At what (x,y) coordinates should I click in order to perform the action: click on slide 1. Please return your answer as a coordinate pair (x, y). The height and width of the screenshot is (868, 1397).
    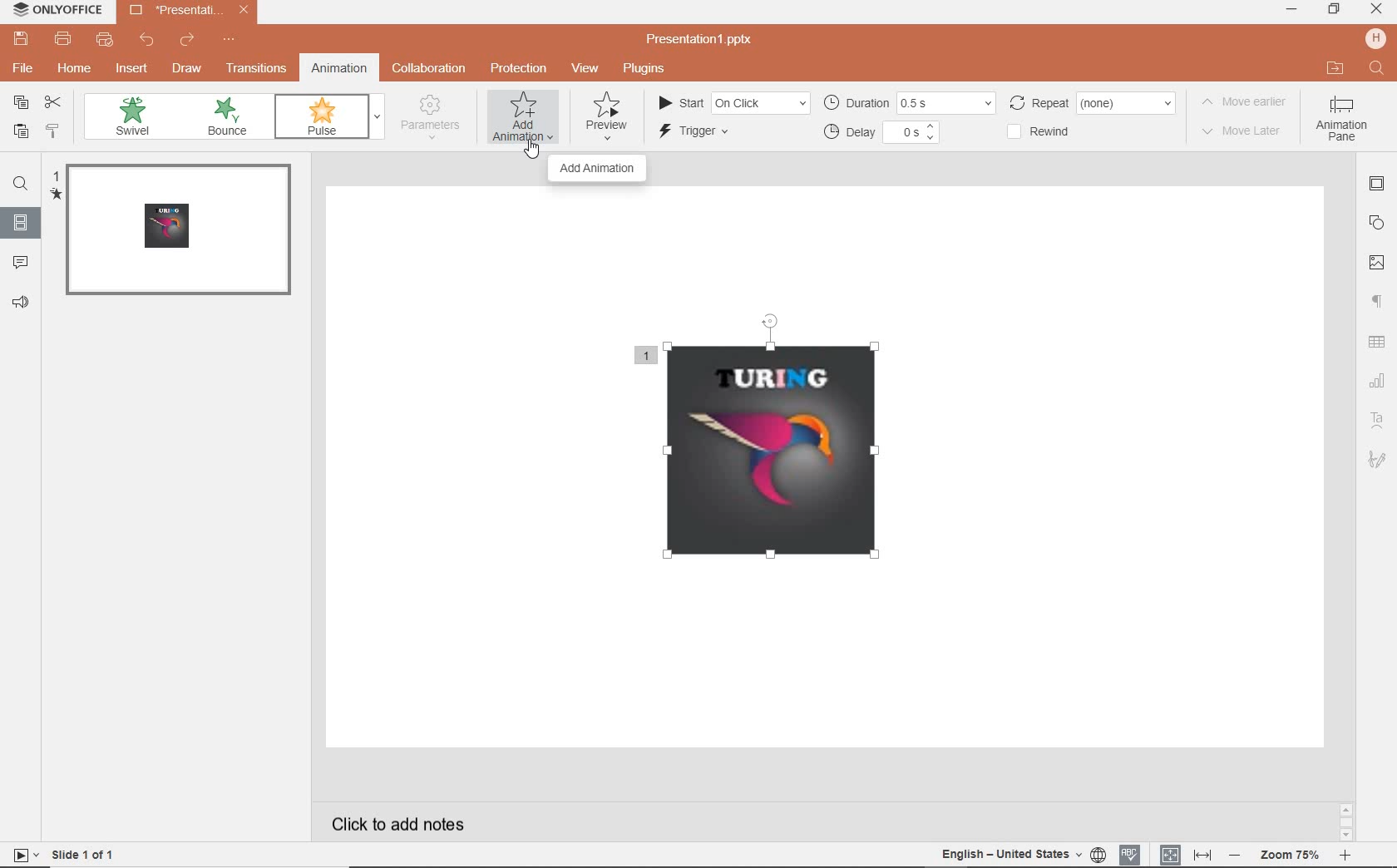
    Looking at the image, I should click on (176, 232).